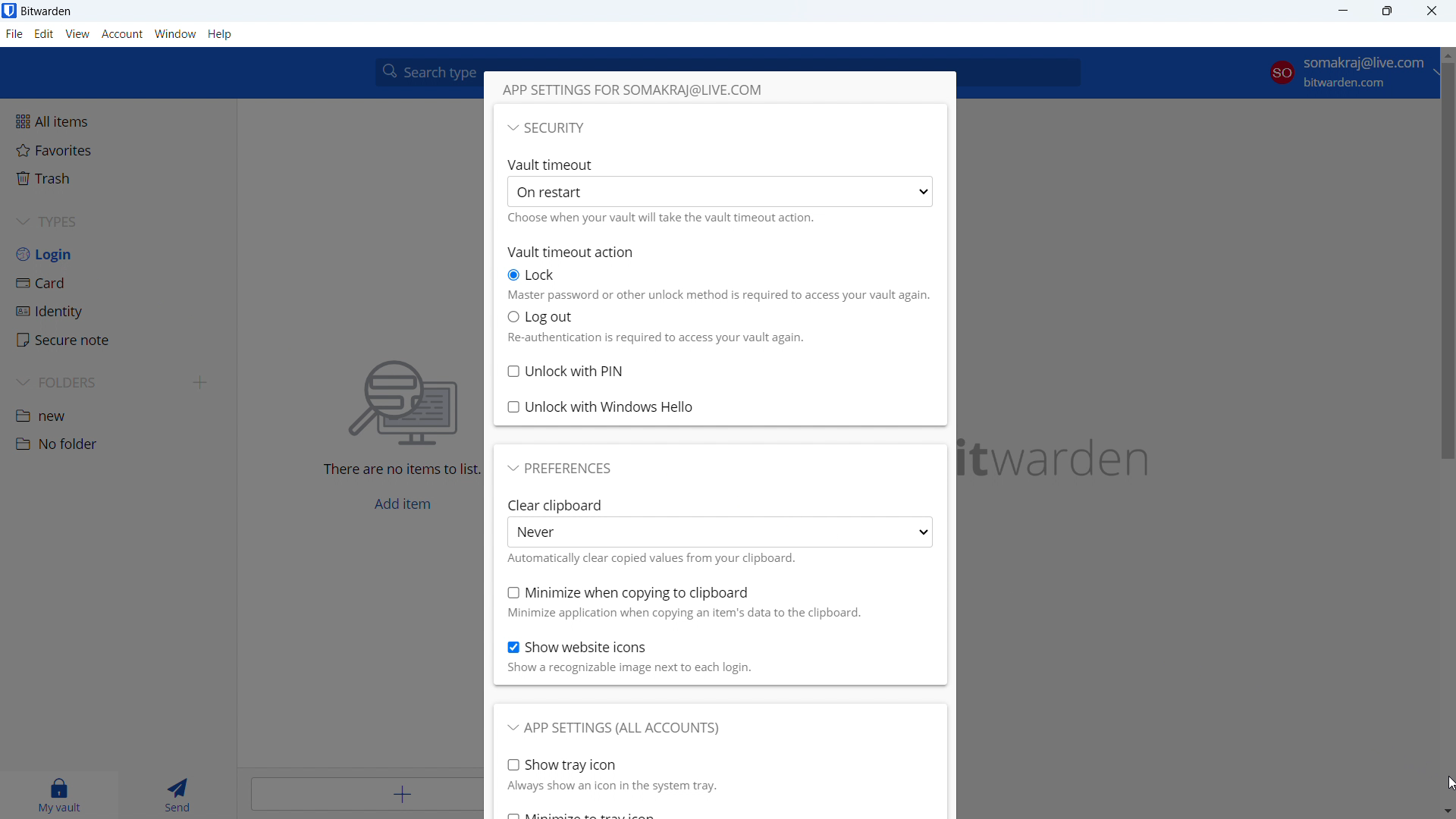 The width and height of the screenshot is (1456, 819). I want to click on types, so click(118, 222).